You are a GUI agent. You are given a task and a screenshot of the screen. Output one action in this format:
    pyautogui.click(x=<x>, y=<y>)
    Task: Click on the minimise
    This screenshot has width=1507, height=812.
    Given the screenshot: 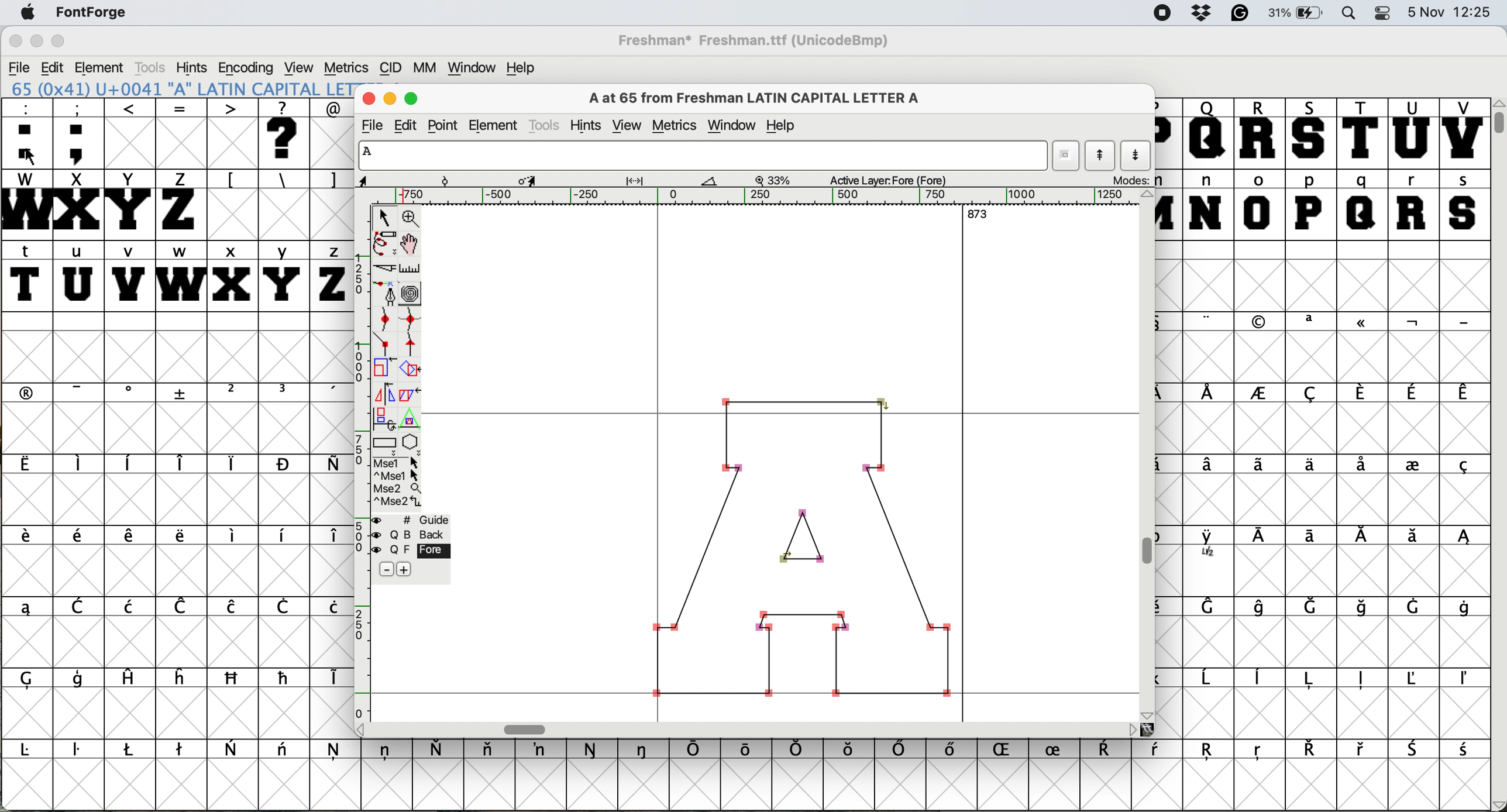 What is the action you would take?
    pyautogui.click(x=35, y=41)
    